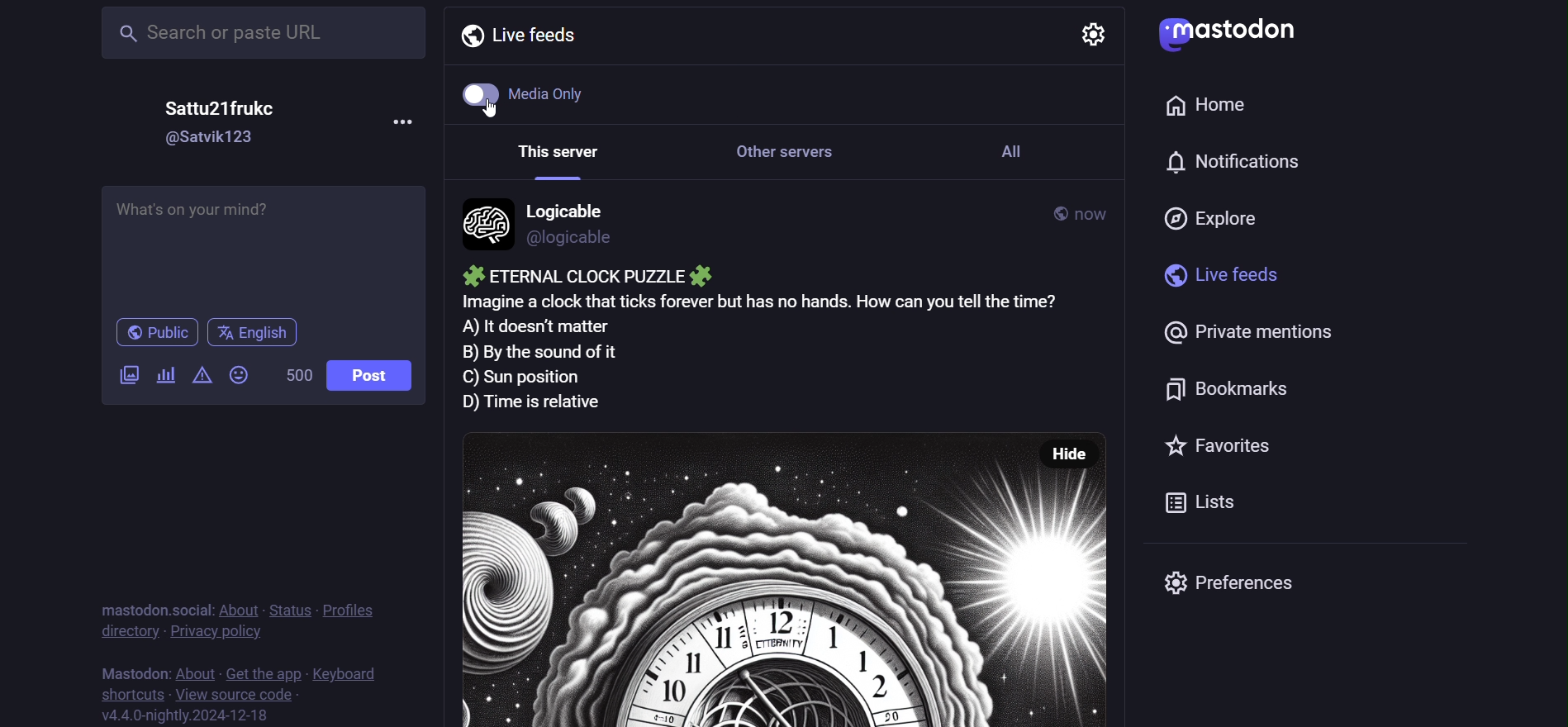 The height and width of the screenshot is (727, 1568). I want to click on public, so click(1043, 213).